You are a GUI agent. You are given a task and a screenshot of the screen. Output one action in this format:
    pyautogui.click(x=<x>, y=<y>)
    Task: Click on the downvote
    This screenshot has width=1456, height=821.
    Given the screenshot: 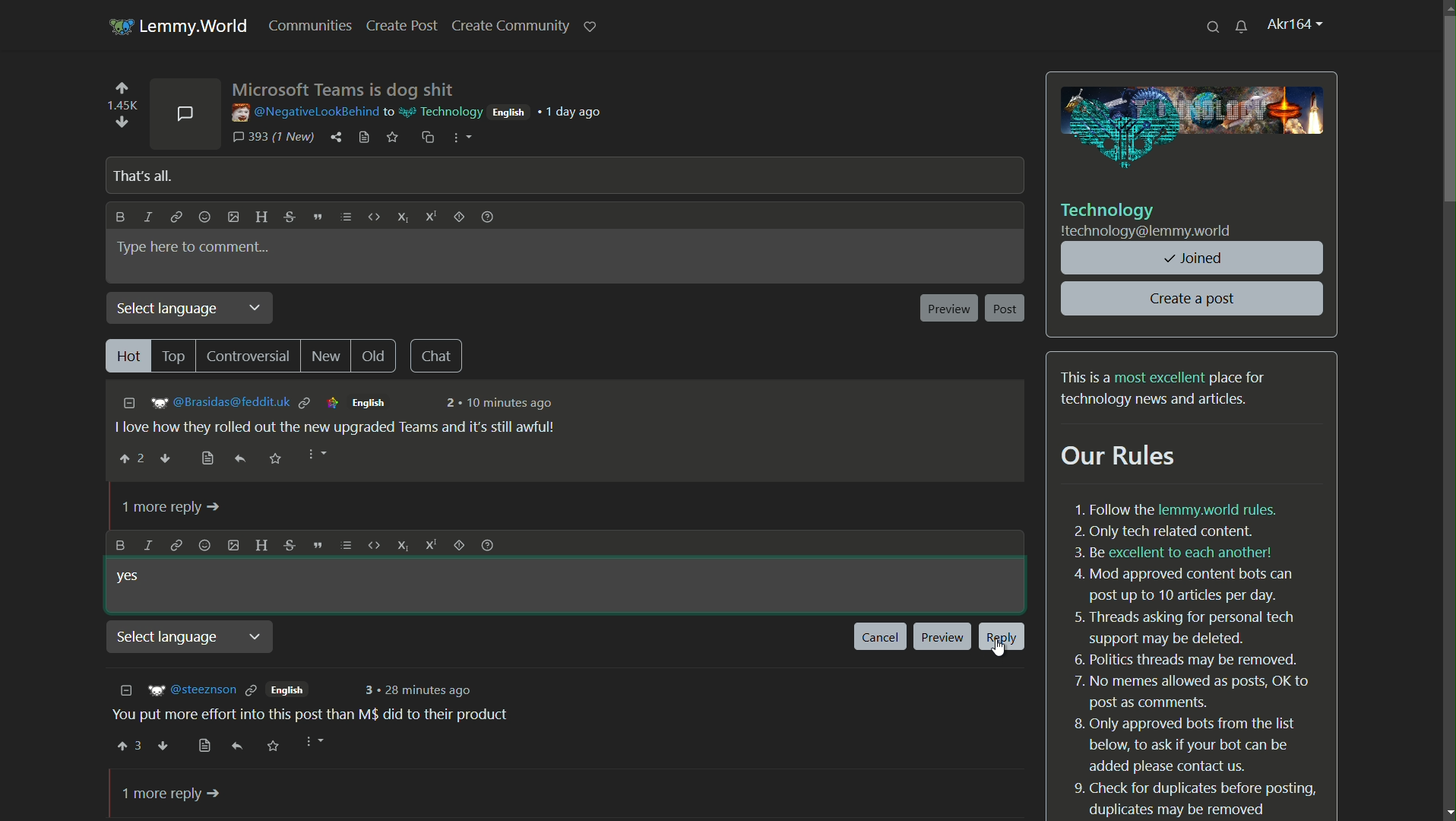 What is the action you would take?
    pyautogui.click(x=166, y=460)
    